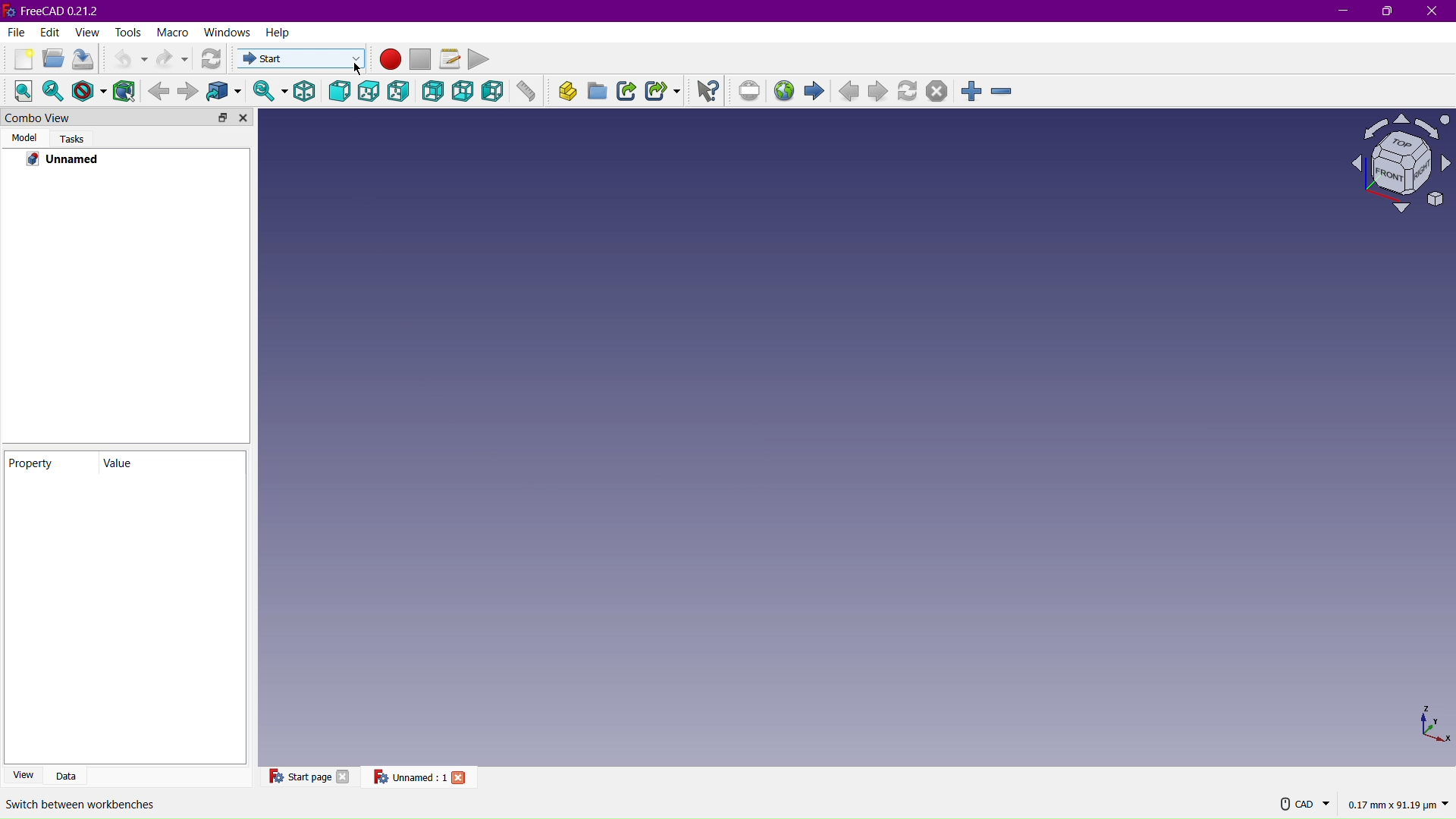  I want to click on Undo, so click(124, 60).